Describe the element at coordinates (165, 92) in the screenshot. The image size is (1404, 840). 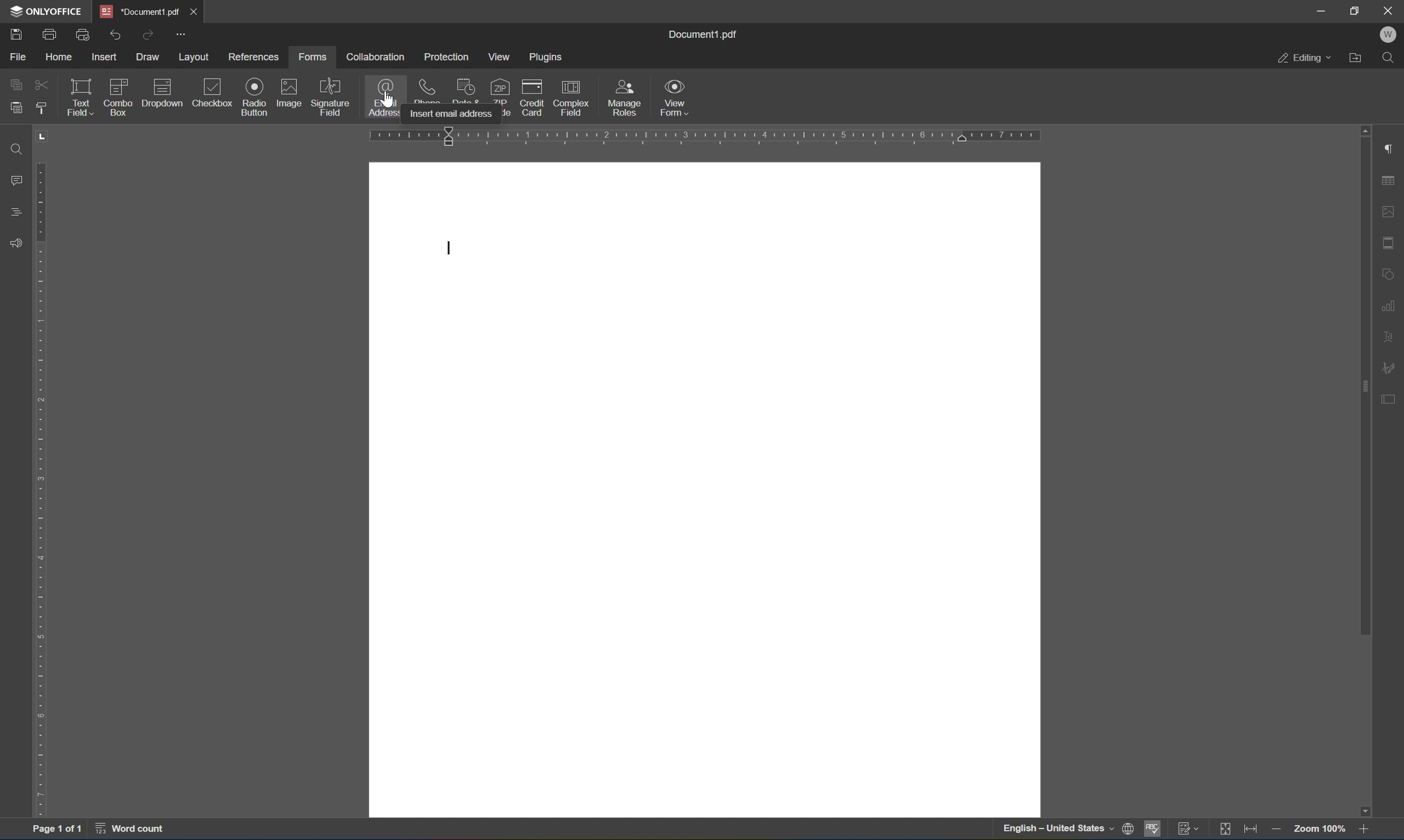
I see `description` at that location.